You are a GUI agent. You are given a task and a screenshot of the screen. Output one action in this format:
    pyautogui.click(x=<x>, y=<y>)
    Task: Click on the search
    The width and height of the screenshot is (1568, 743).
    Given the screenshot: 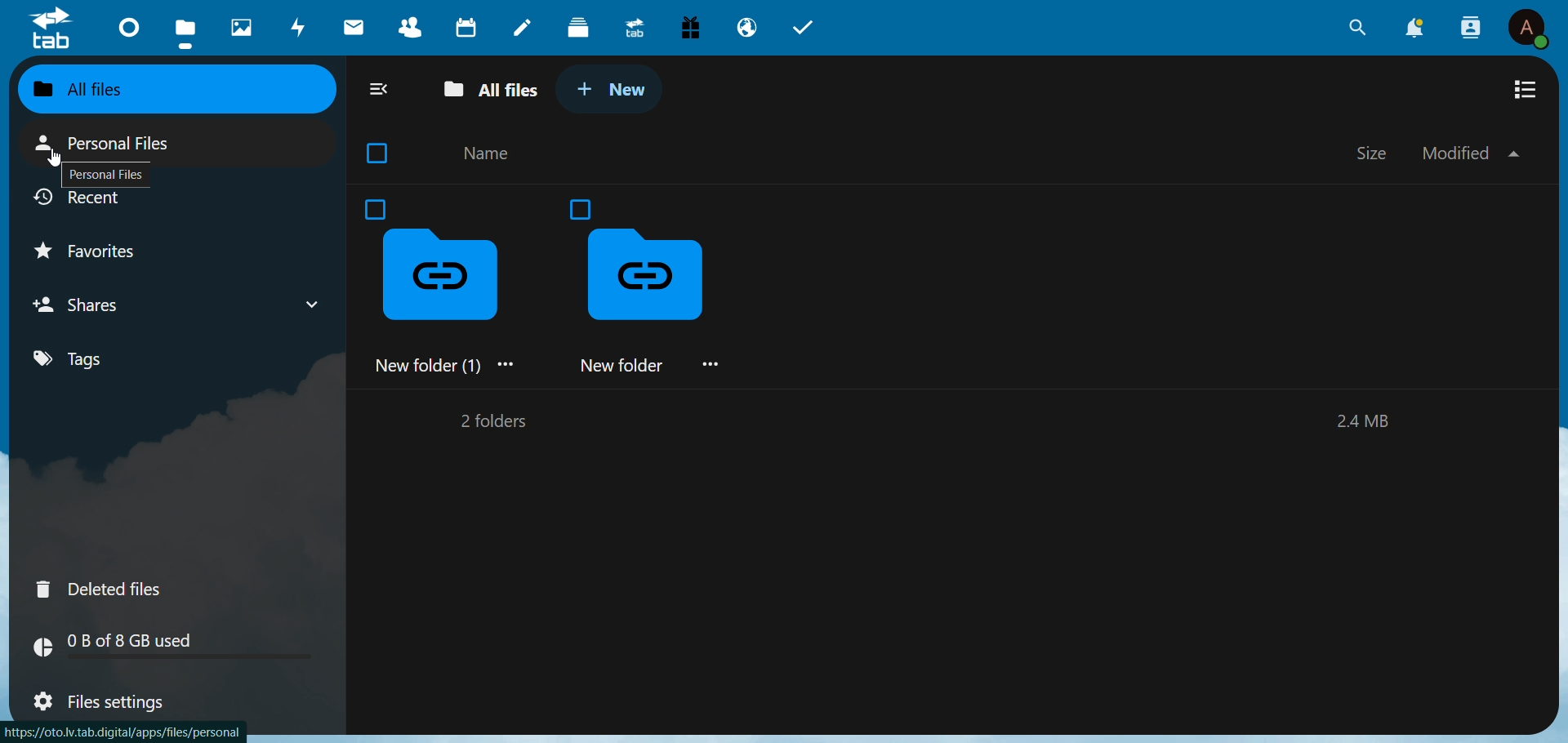 What is the action you would take?
    pyautogui.click(x=1353, y=29)
    